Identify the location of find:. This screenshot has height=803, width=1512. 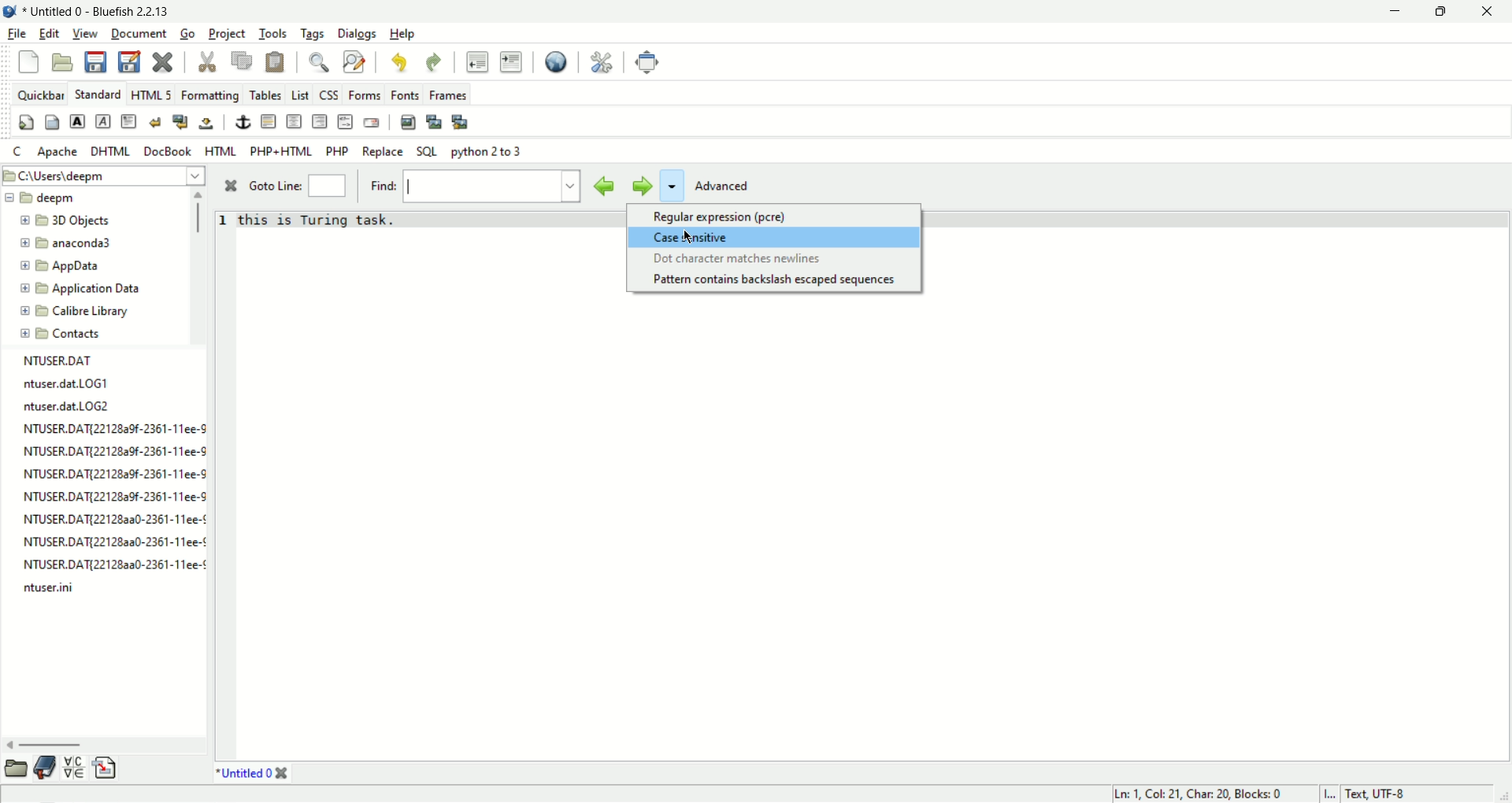
(384, 184).